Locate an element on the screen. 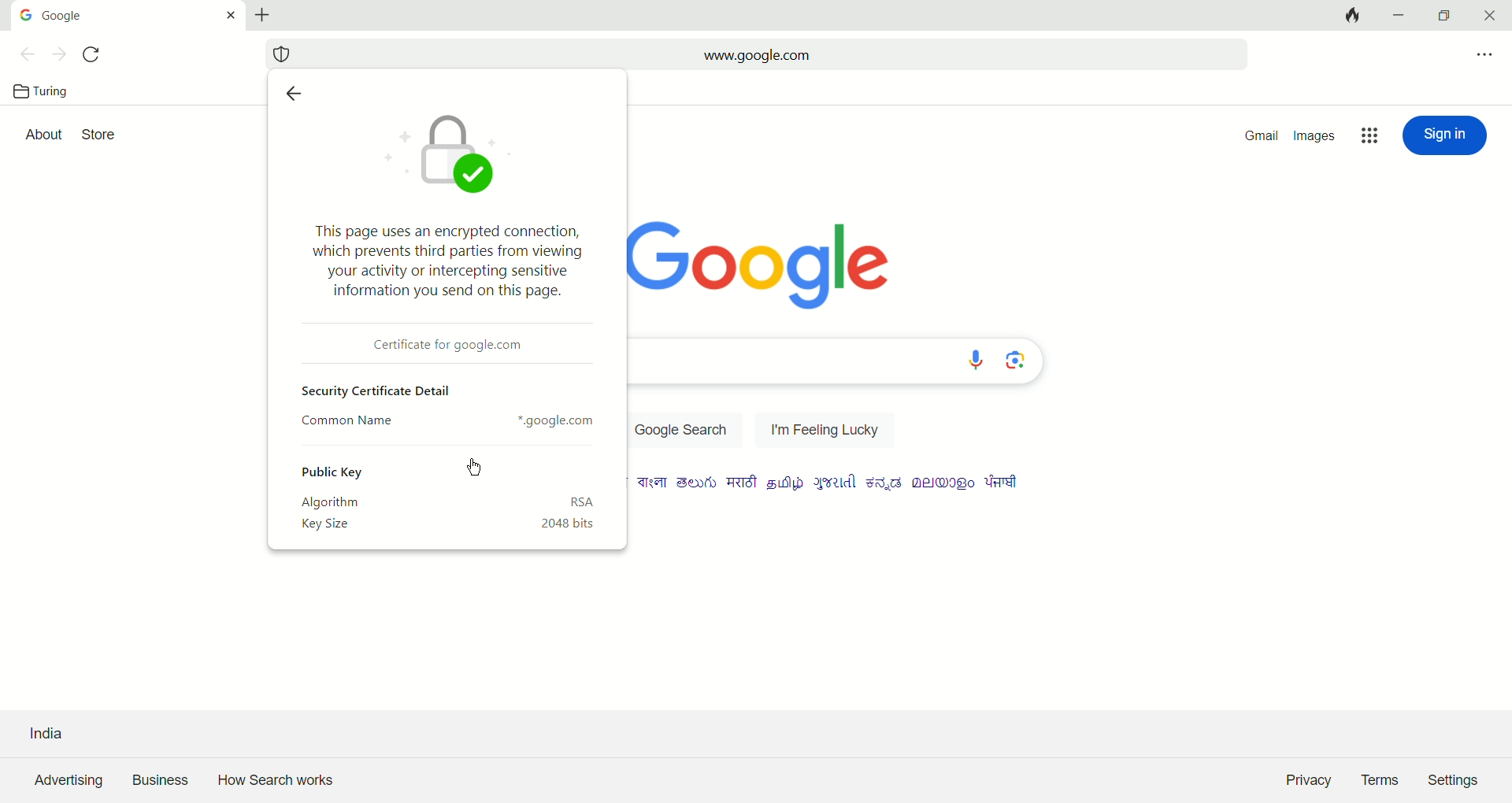 Image resolution: width=1512 pixels, height=803 pixels. images is located at coordinates (1317, 137).